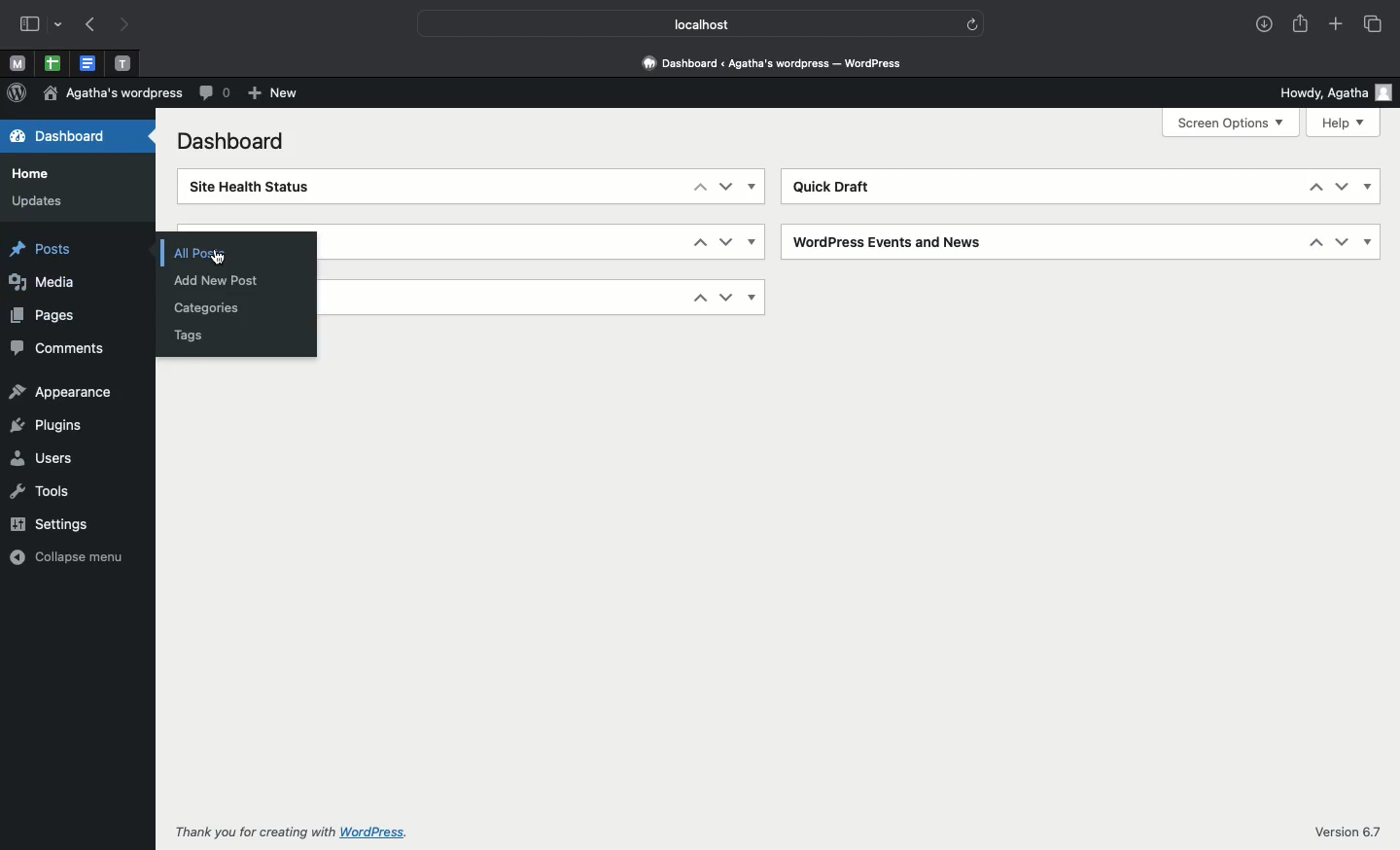  I want to click on Settings, so click(51, 523).